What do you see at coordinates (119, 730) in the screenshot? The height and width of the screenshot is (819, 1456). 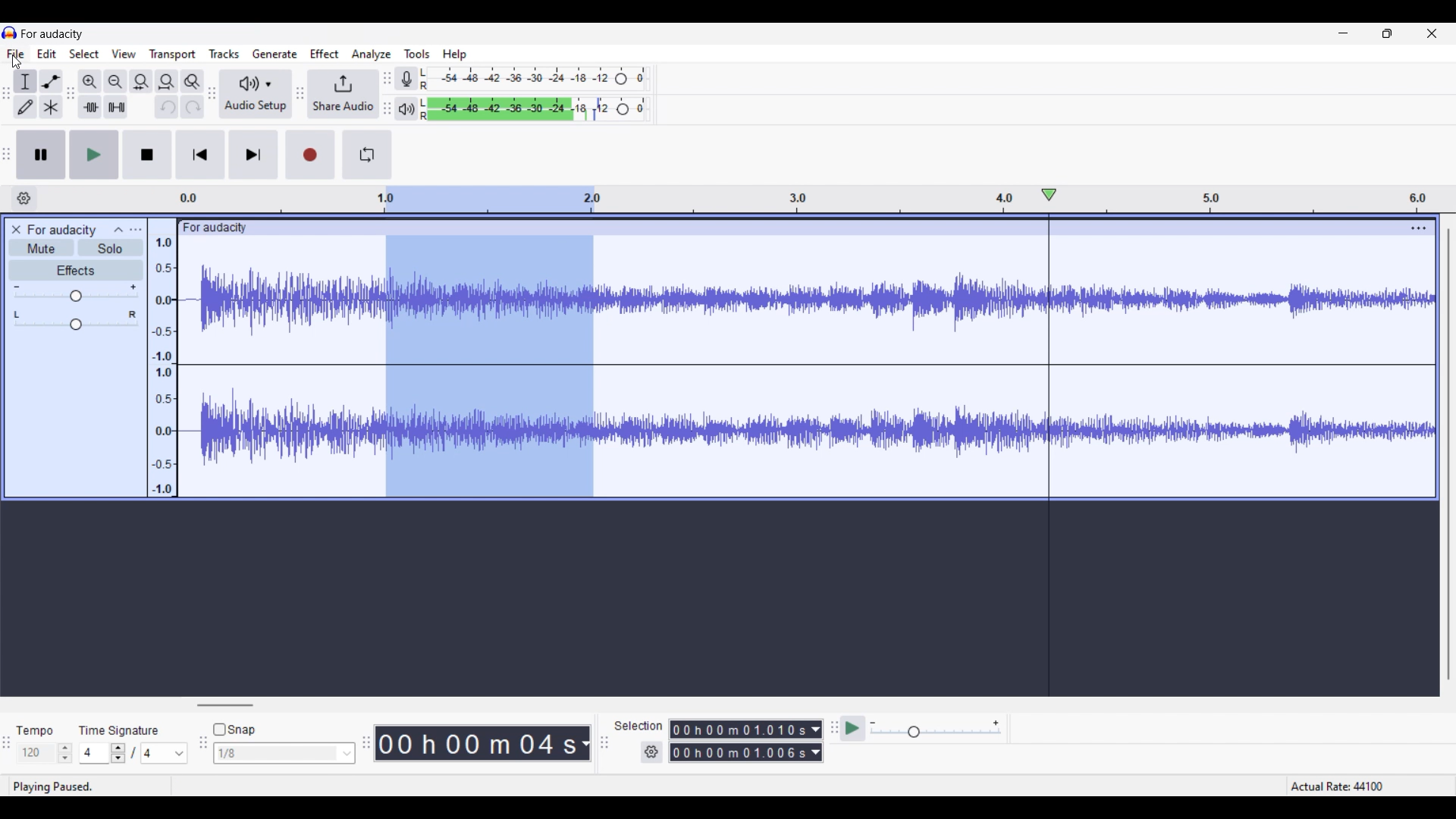 I see `time signature ` at bounding box center [119, 730].